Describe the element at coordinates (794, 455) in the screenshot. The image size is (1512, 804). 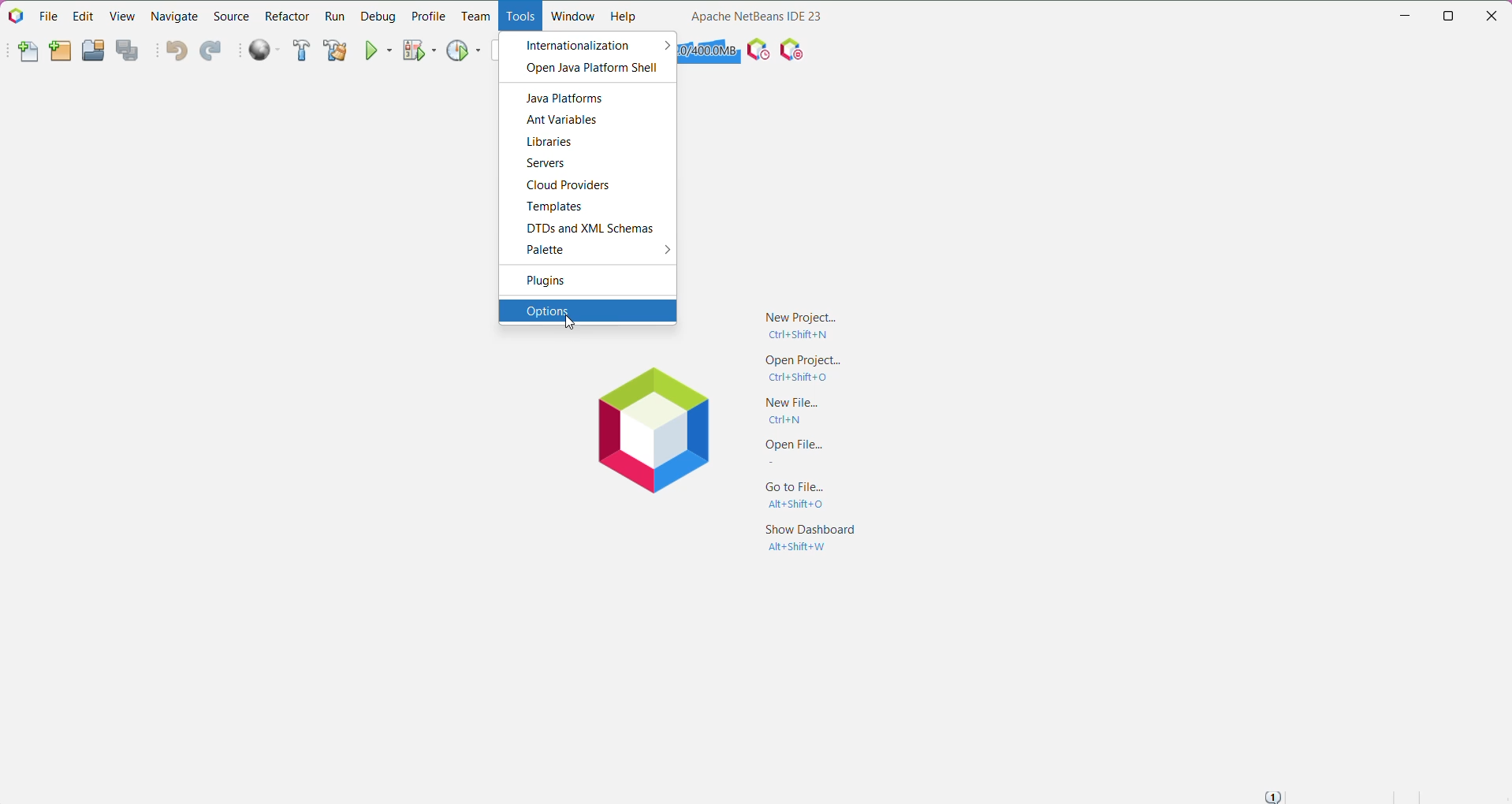
I see `` at that location.